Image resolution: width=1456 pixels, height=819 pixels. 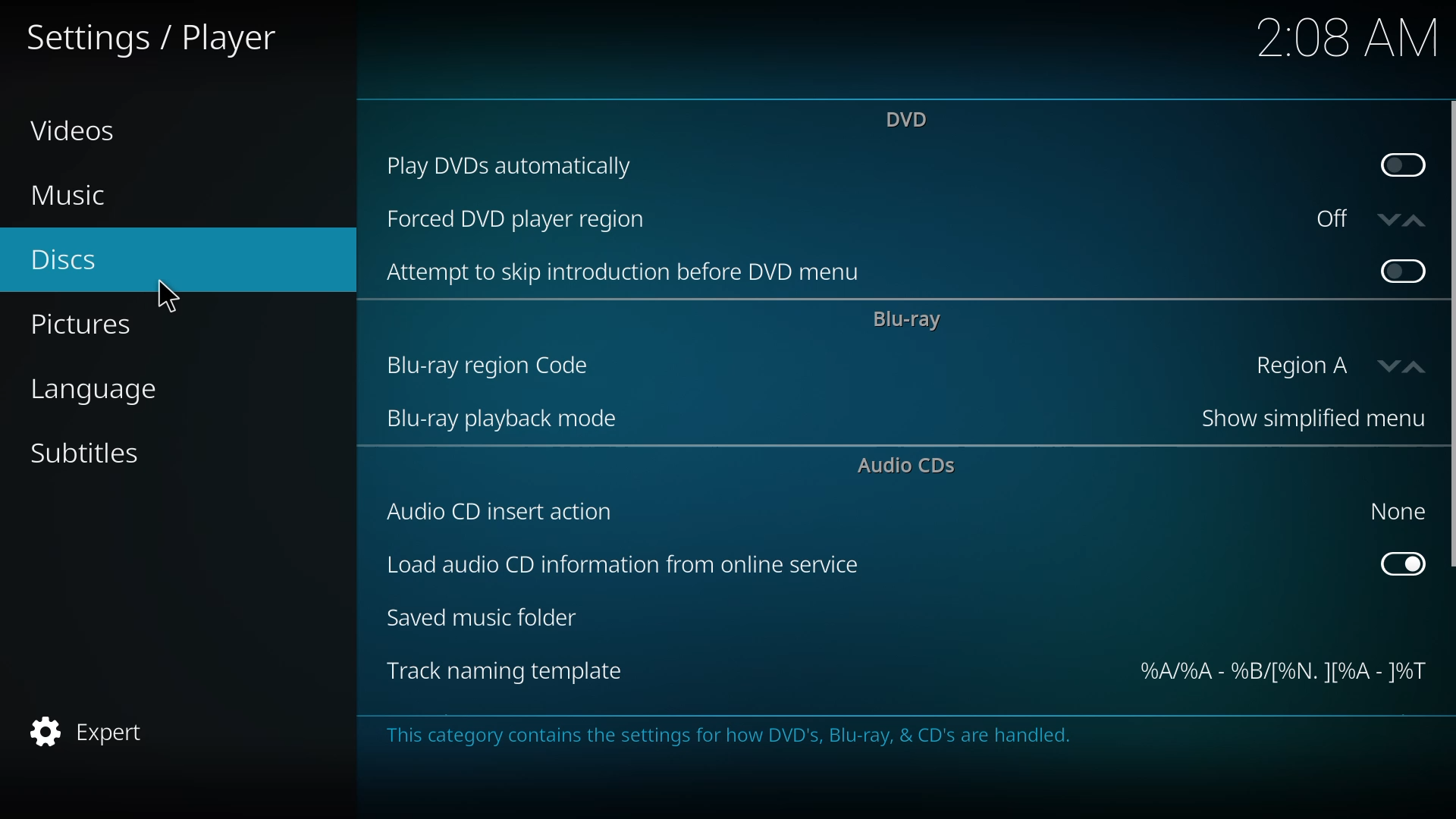 I want to click on language, so click(x=98, y=391).